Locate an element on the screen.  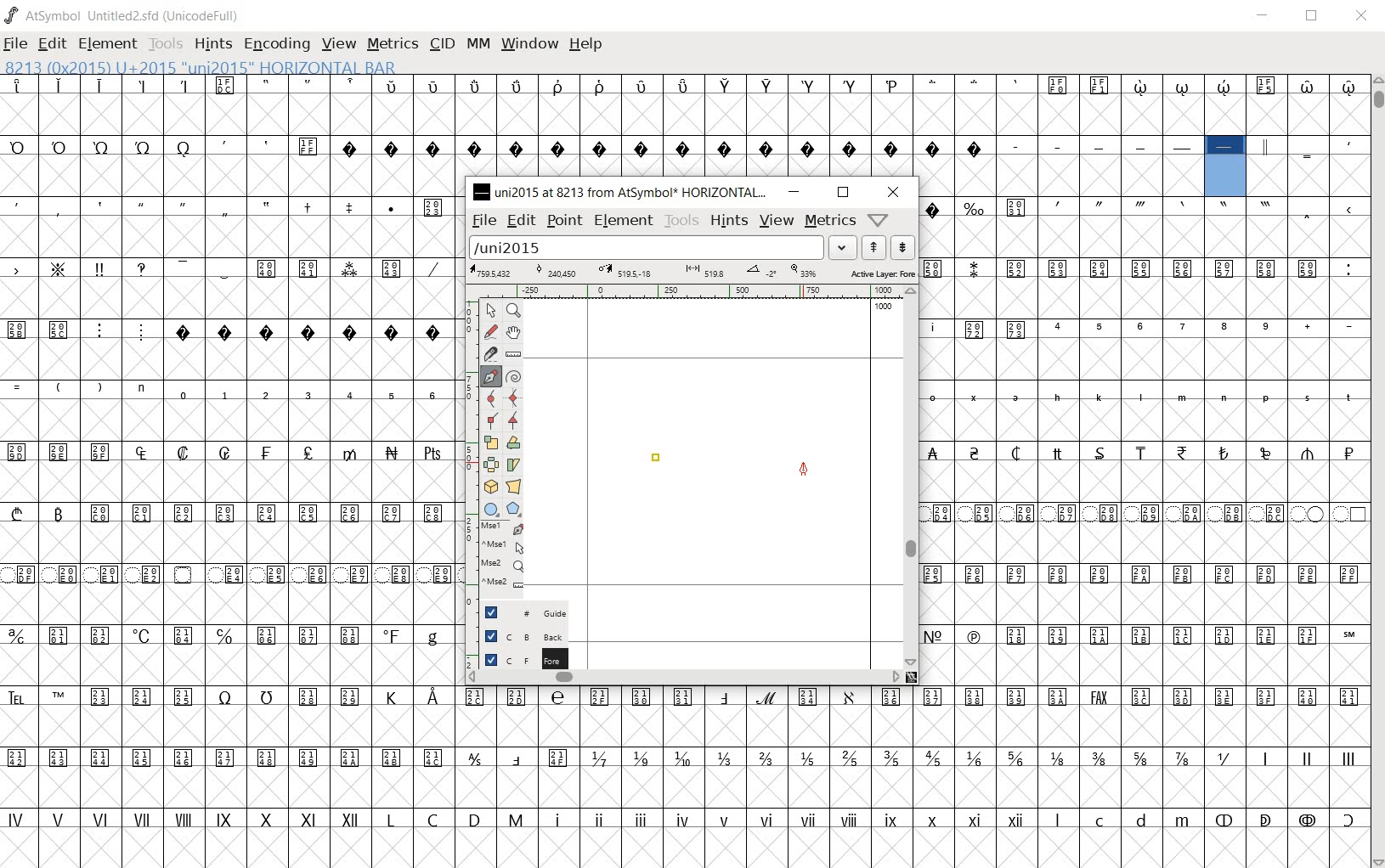
polygon or star is located at coordinates (514, 508).